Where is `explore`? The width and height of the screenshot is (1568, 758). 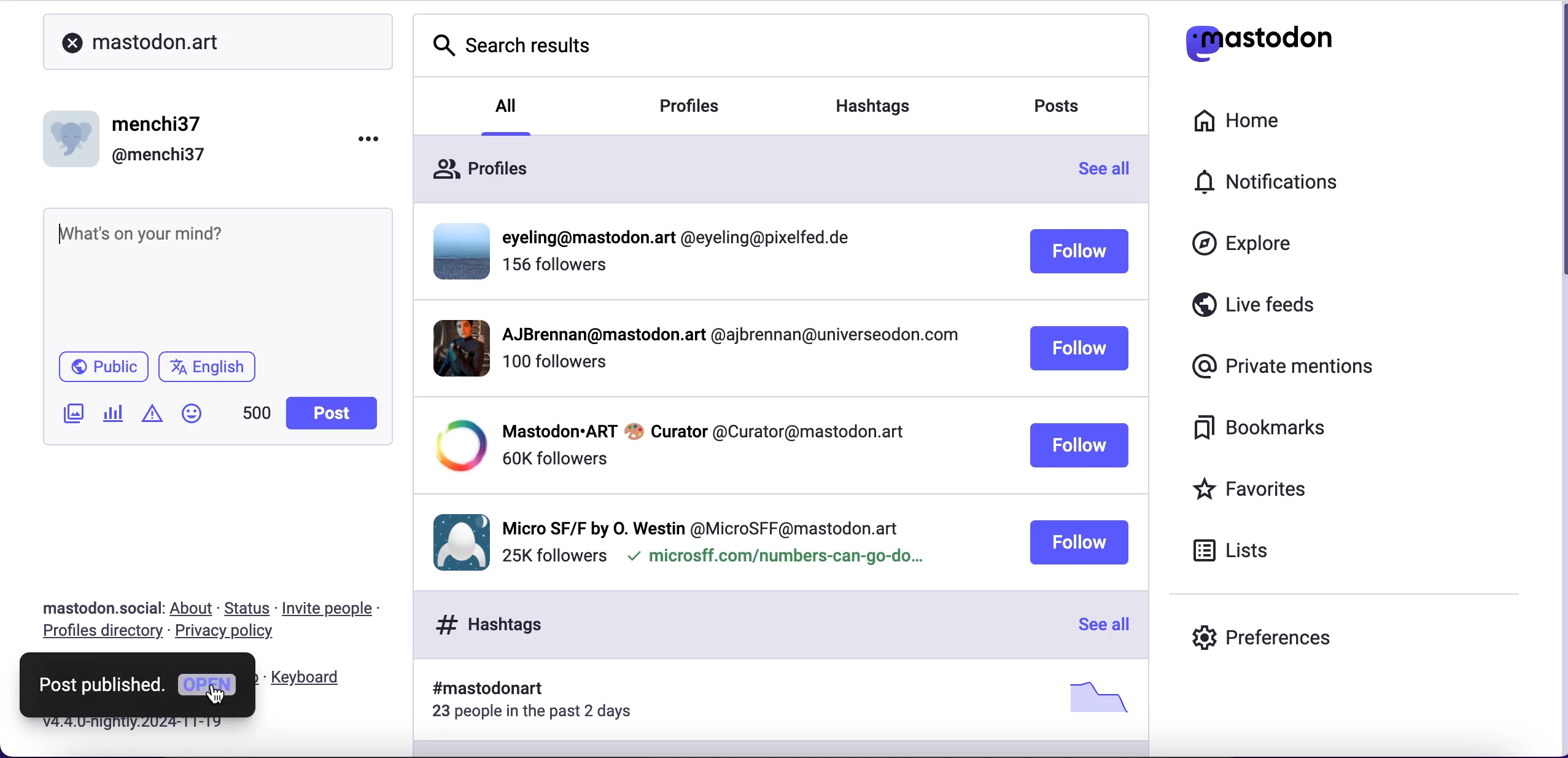
explore is located at coordinates (1241, 244).